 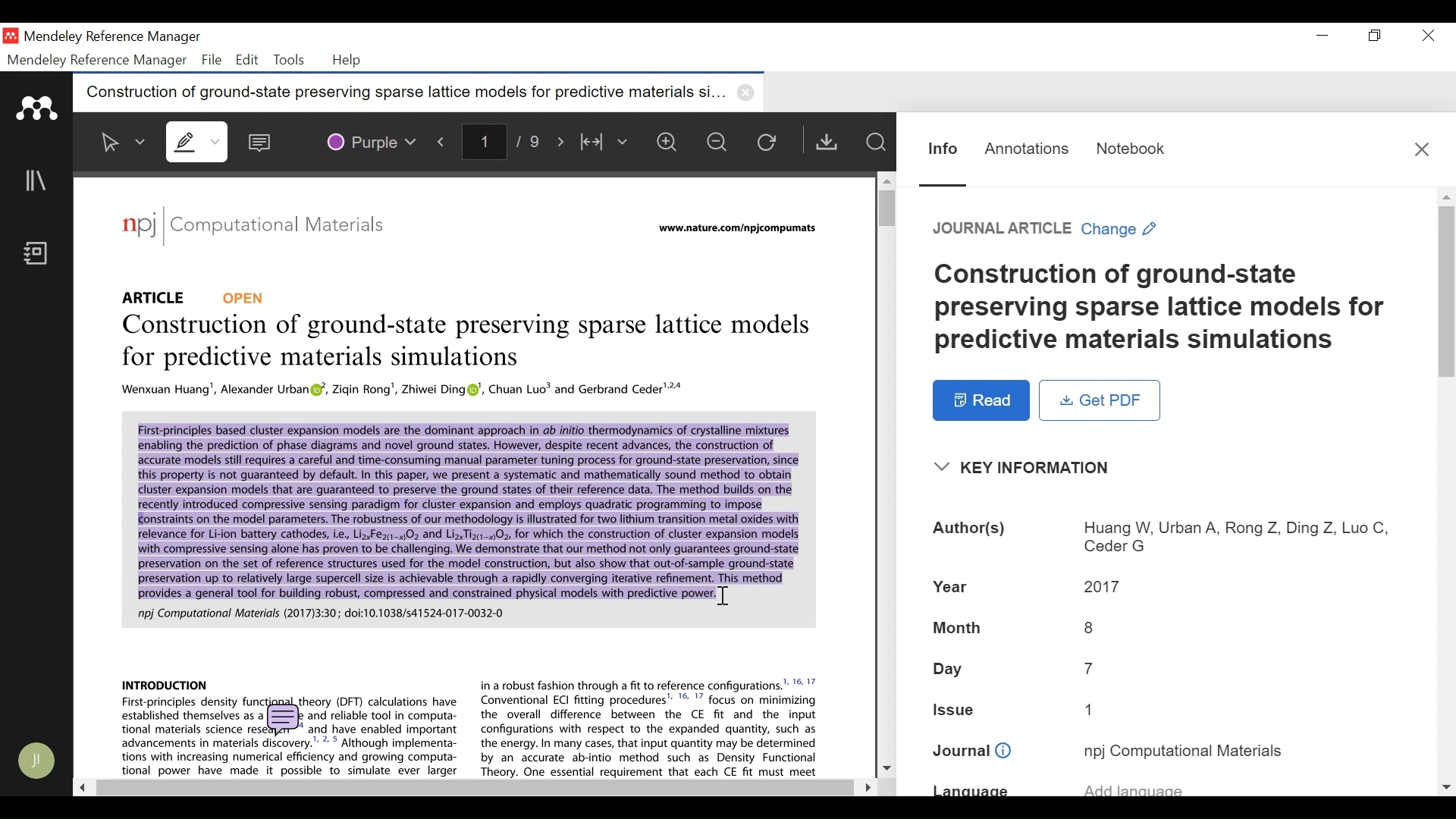 What do you see at coordinates (1027, 149) in the screenshot?
I see `Annotation` at bounding box center [1027, 149].